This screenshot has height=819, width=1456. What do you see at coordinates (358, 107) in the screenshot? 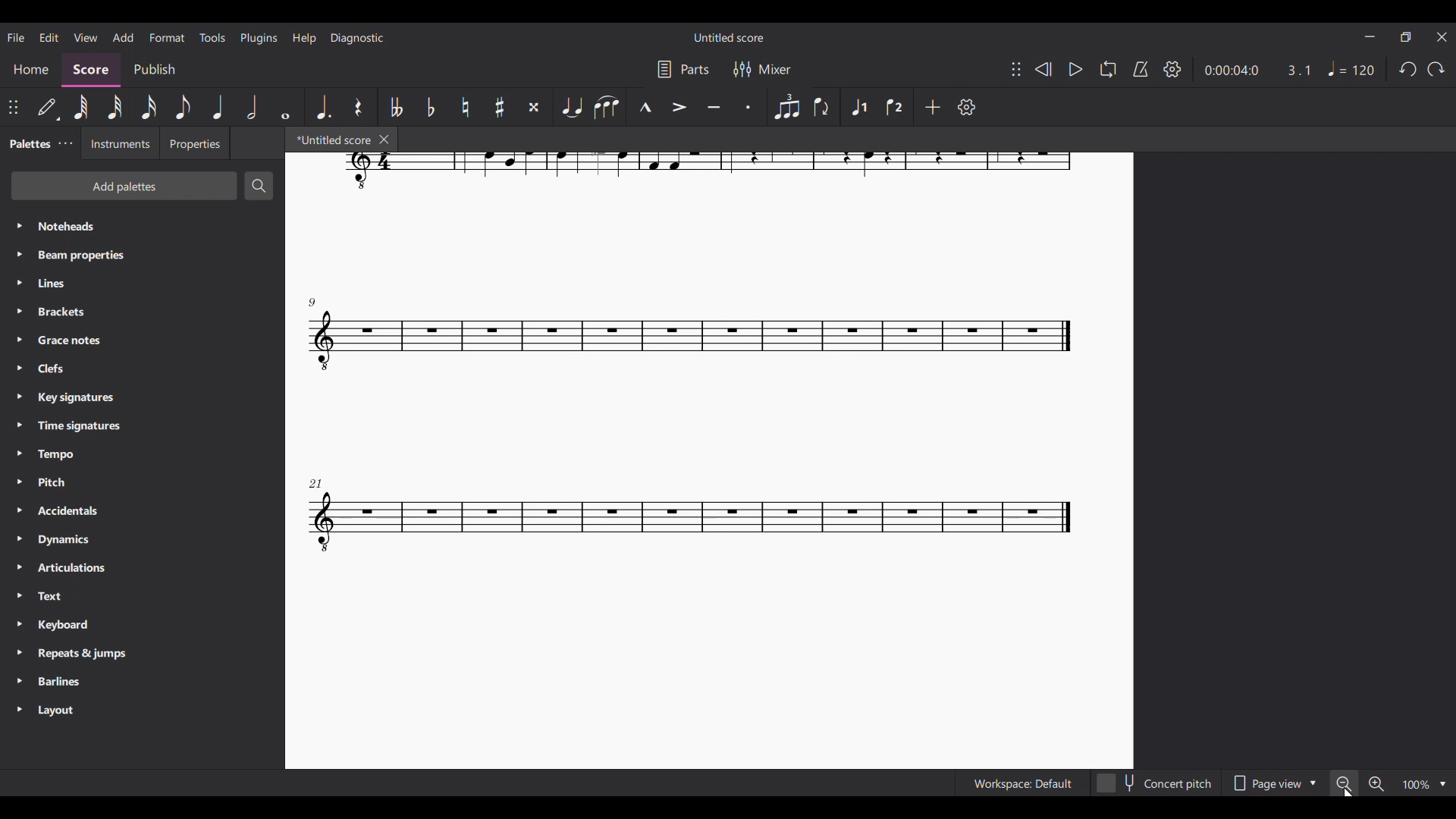
I see `Rest` at bounding box center [358, 107].